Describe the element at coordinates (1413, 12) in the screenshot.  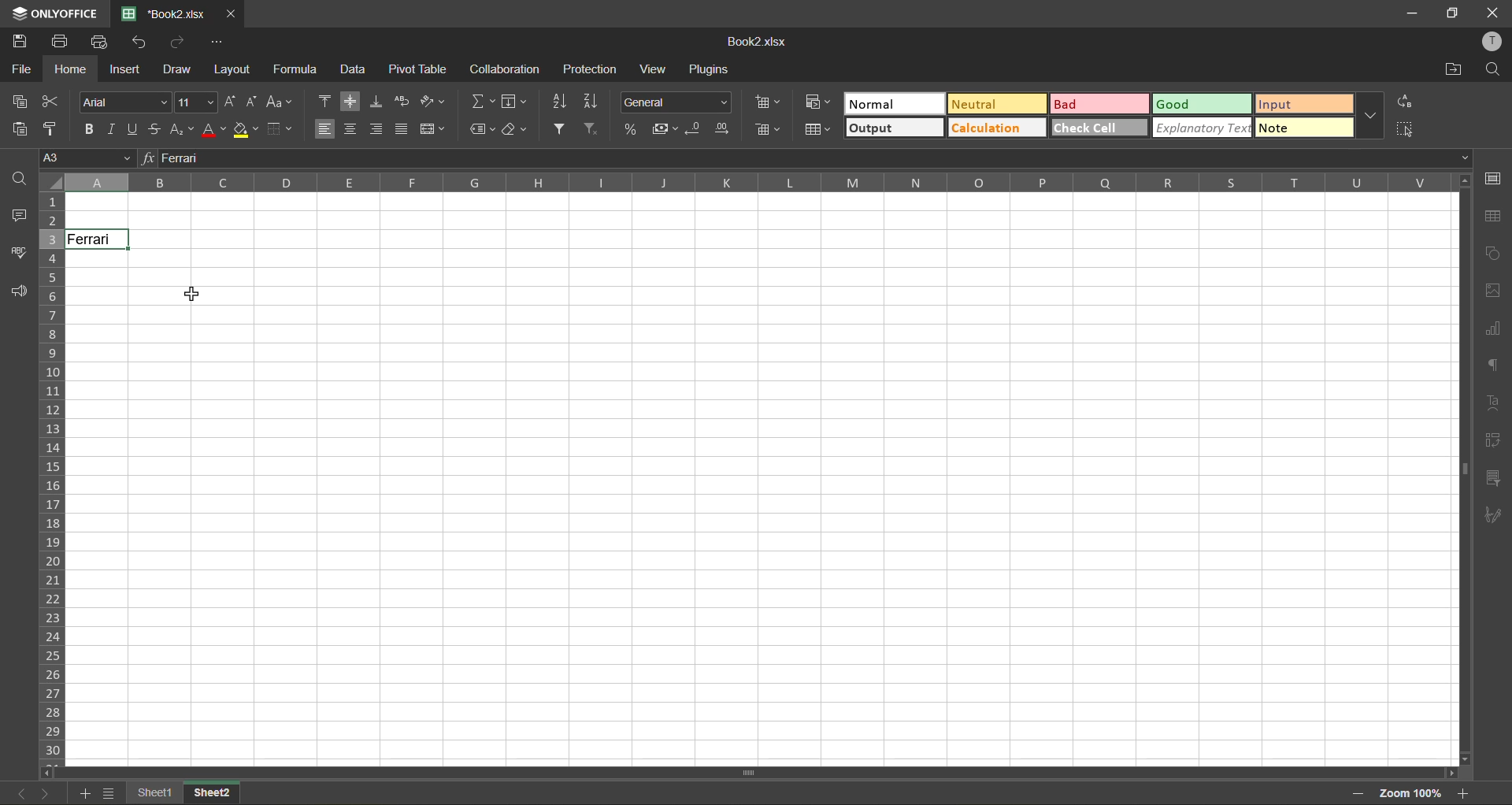
I see `minimize` at that location.